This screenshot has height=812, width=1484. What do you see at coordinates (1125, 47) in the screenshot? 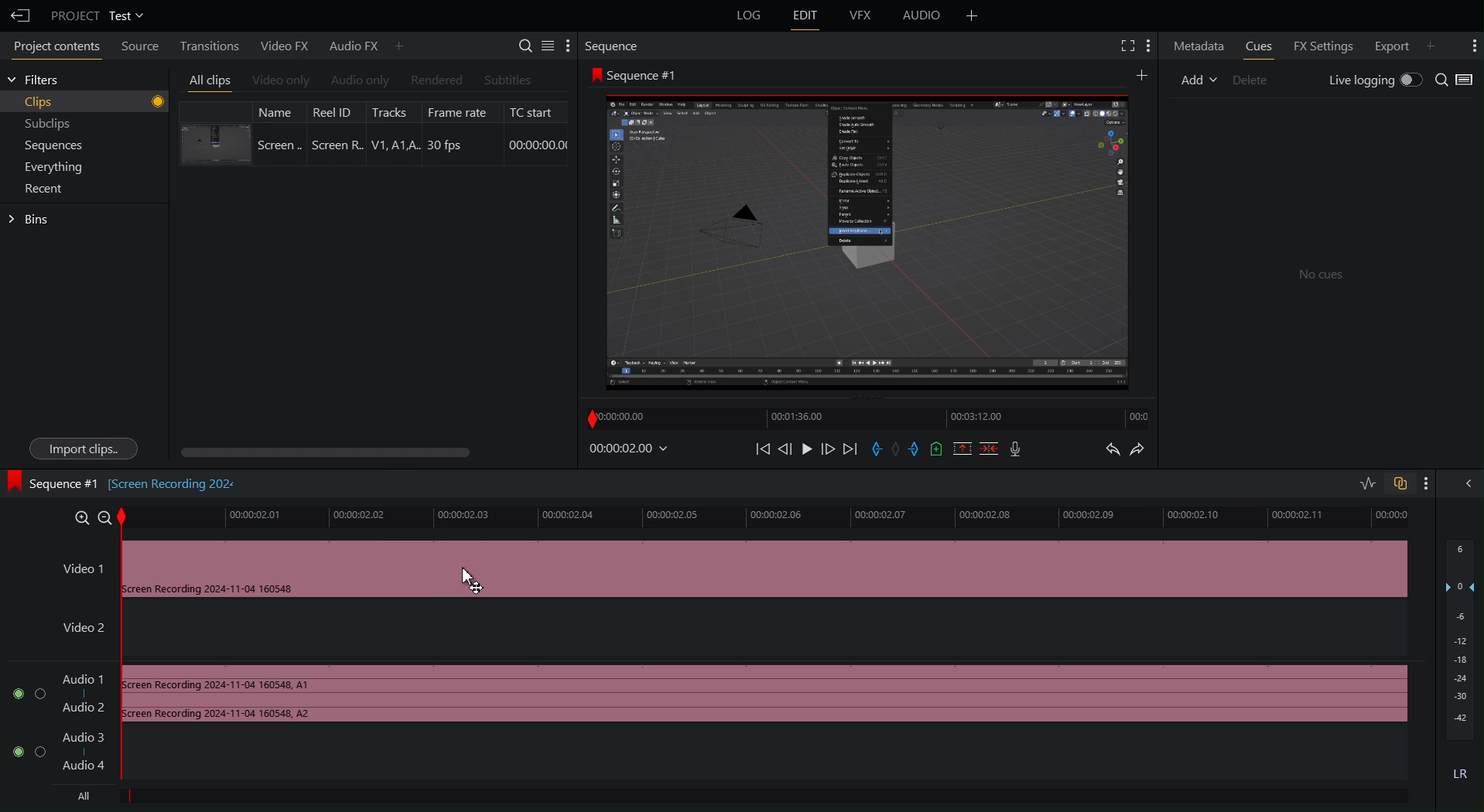
I see `Fullscreen` at bounding box center [1125, 47].